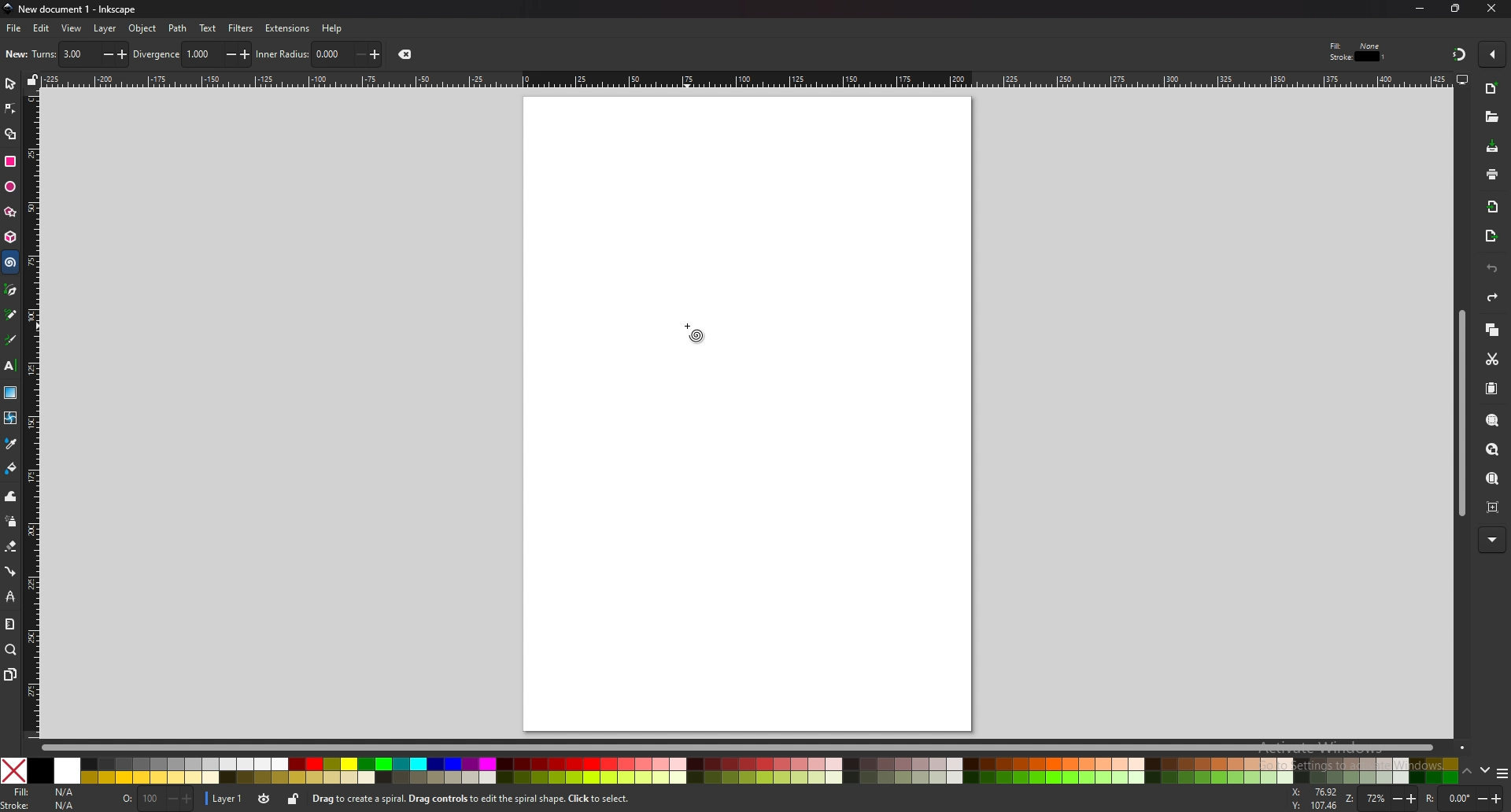 This screenshot has height=812, width=1511. What do you see at coordinates (10, 598) in the screenshot?
I see `lpe` at bounding box center [10, 598].